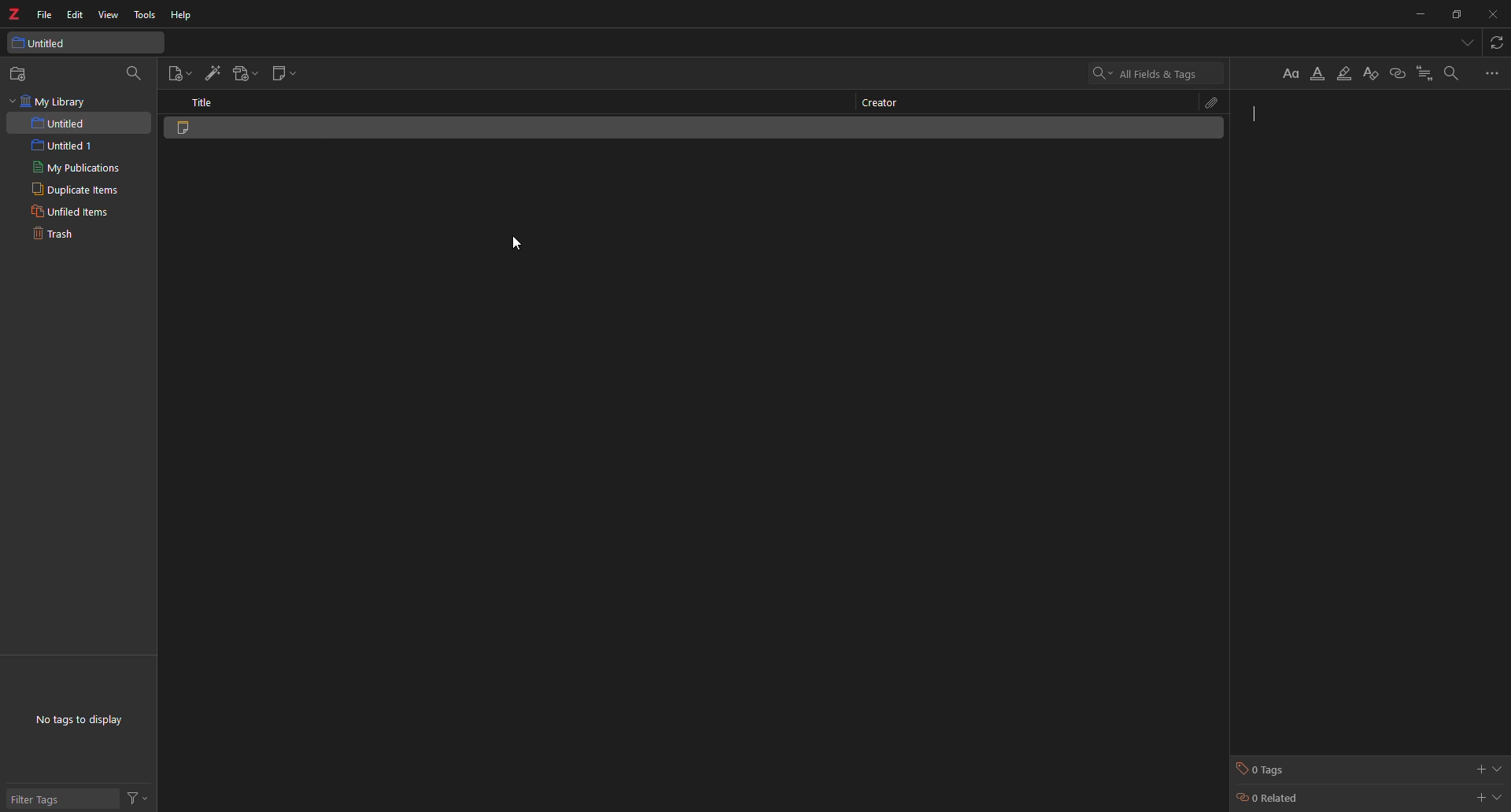 The image size is (1511, 812). I want to click on help, so click(187, 14).